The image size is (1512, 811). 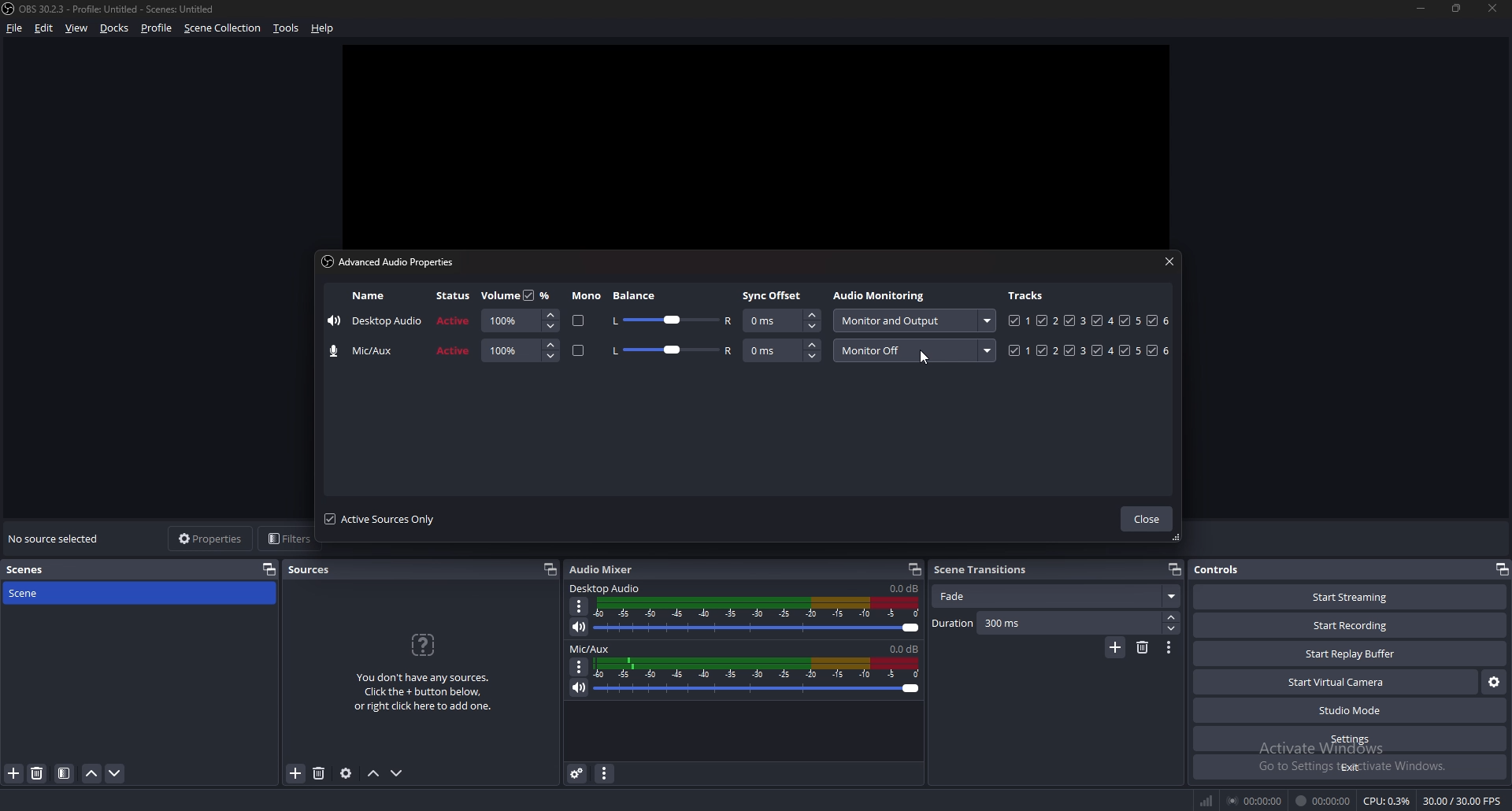 I want to click on mute, so click(x=580, y=628).